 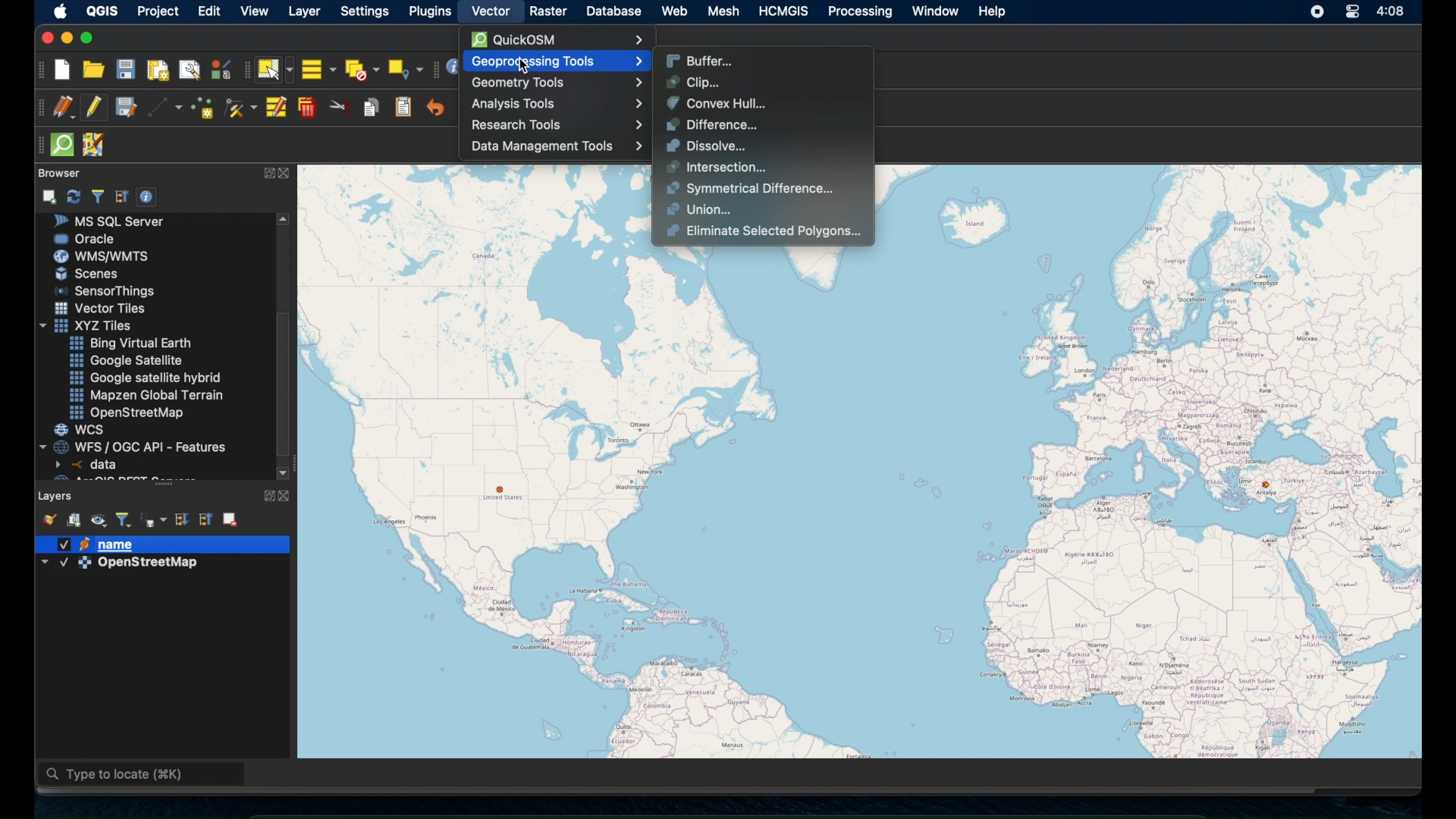 What do you see at coordinates (993, 11) in the screenshot?
I see `help` at bounding box center [993, 11].